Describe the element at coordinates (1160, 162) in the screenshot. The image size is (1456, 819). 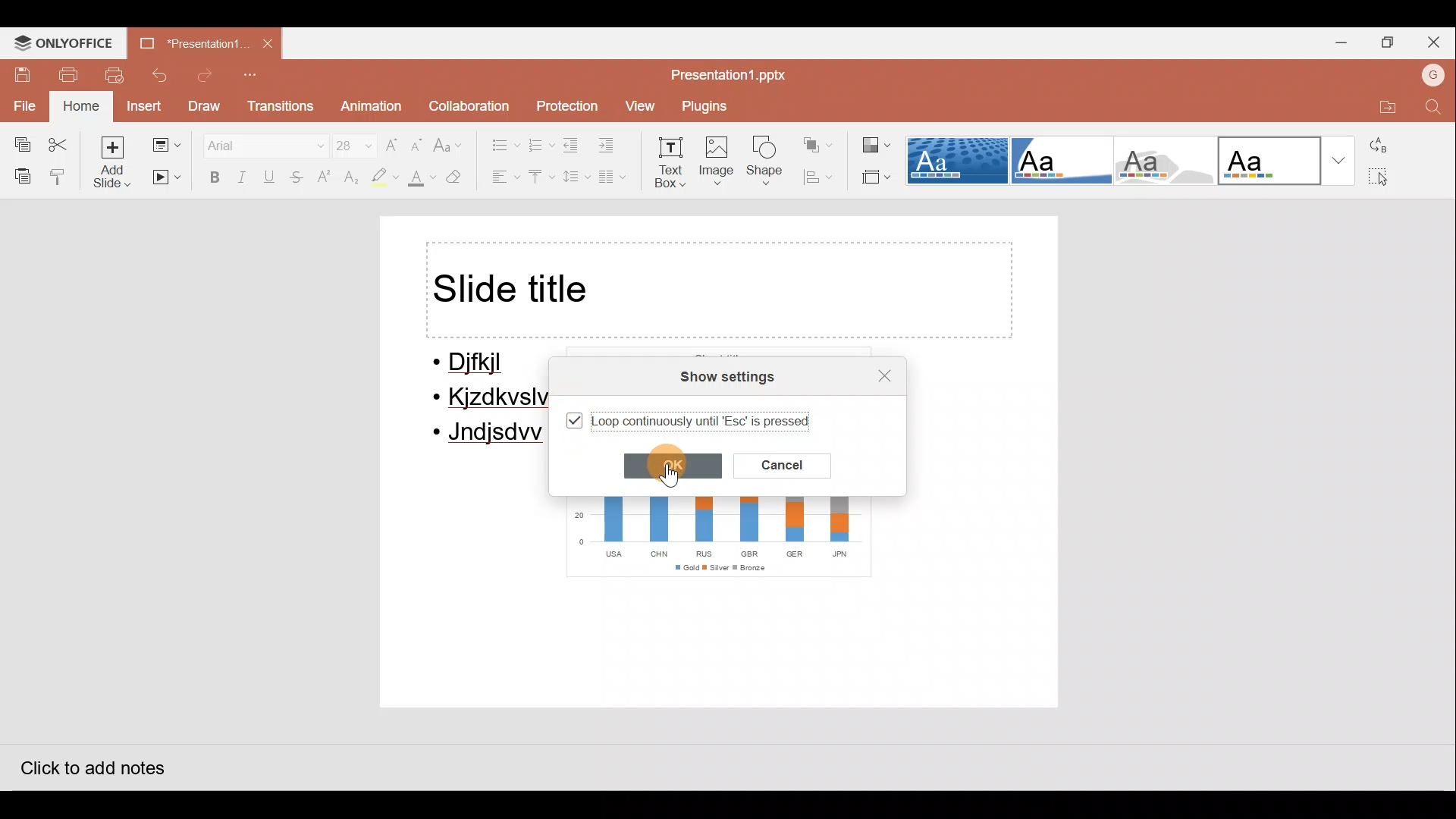
I see `Turtle` at that location.